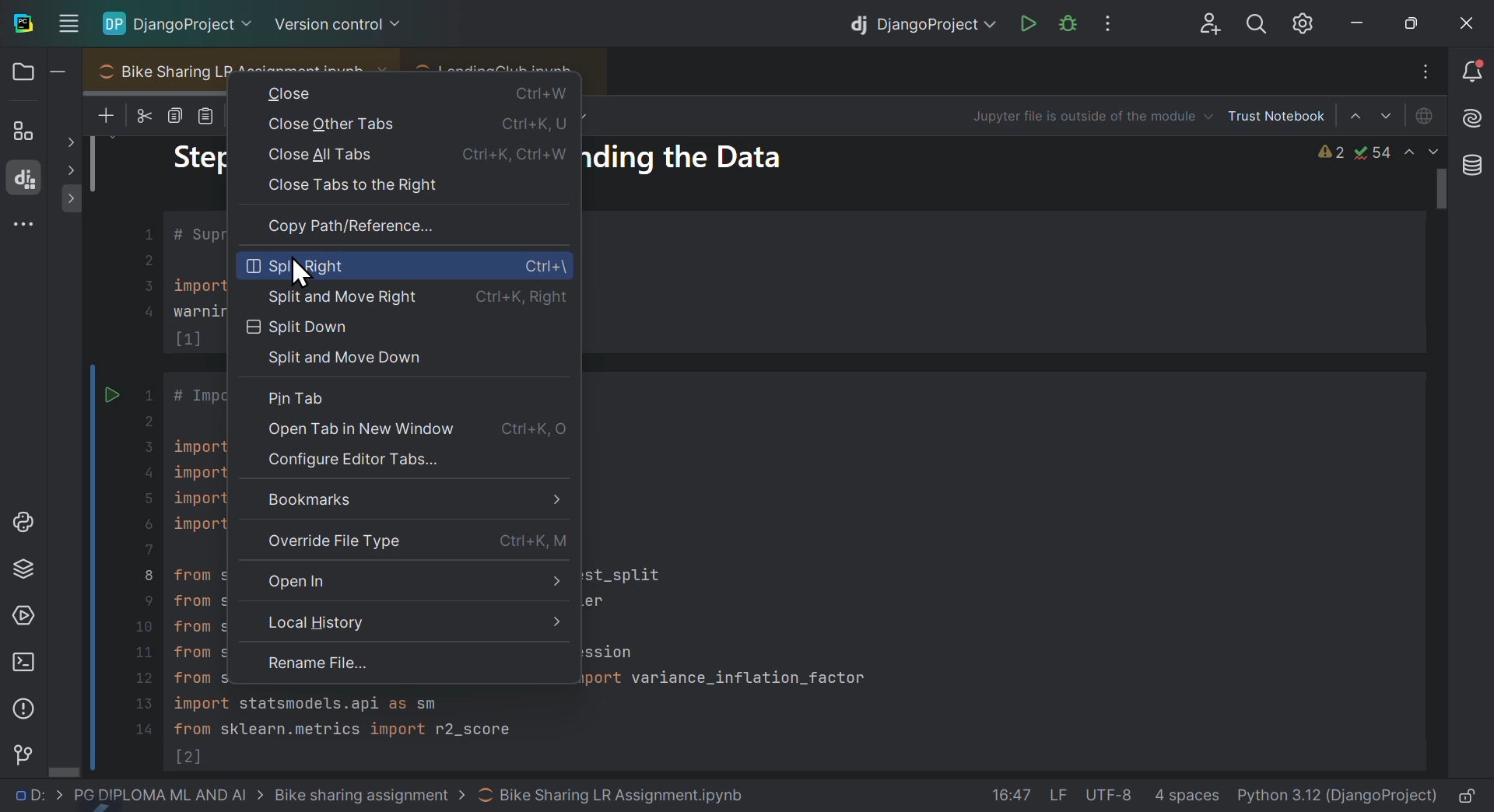 The image size is (1494, 812). What do you see at coordinates (379, 797) in the screenshot?
I see `file path` at bounding box center [379, 797].